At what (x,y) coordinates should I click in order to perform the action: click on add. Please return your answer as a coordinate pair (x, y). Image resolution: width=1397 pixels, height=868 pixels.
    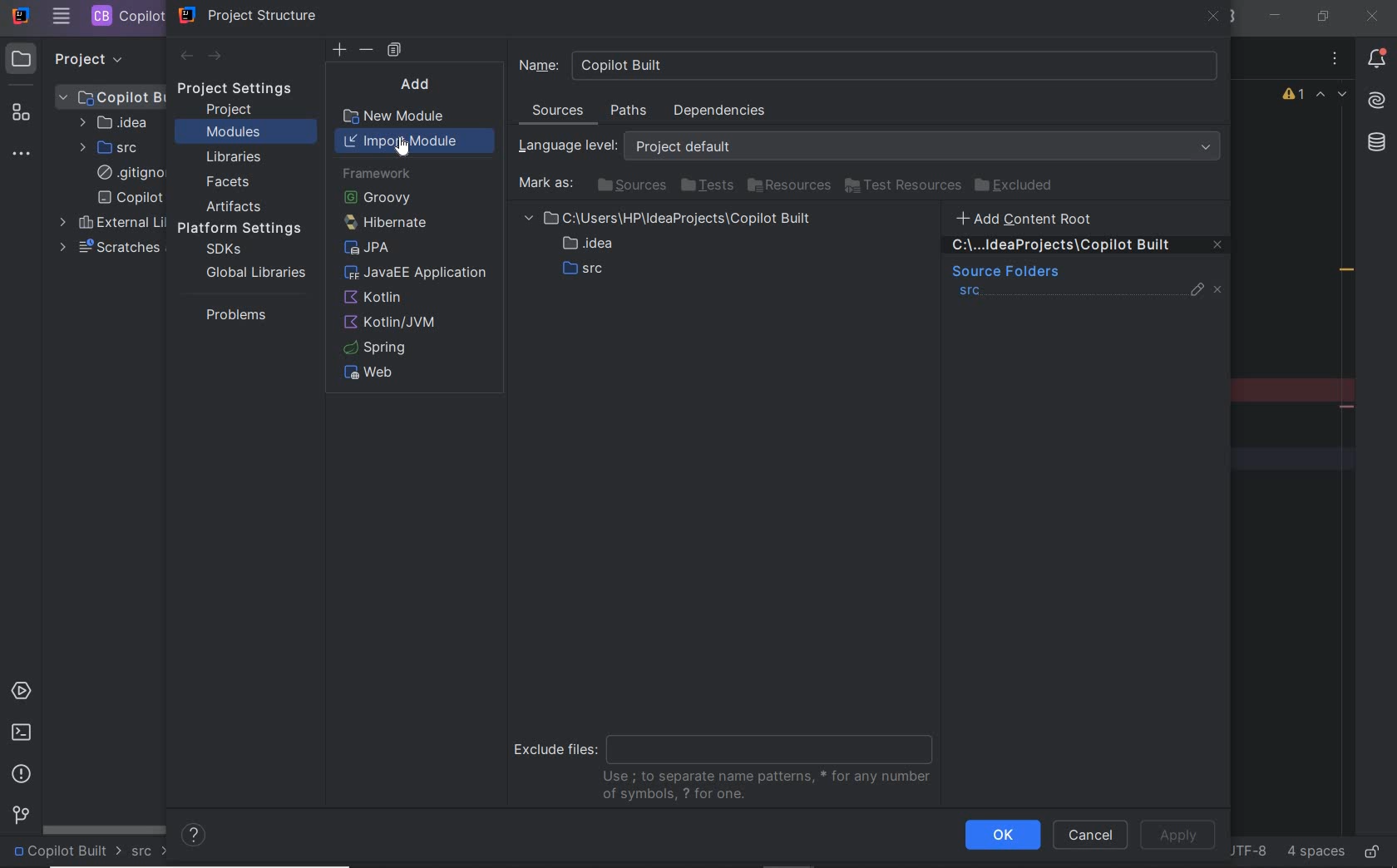
    Looking at the image, I should click on (421, 84).